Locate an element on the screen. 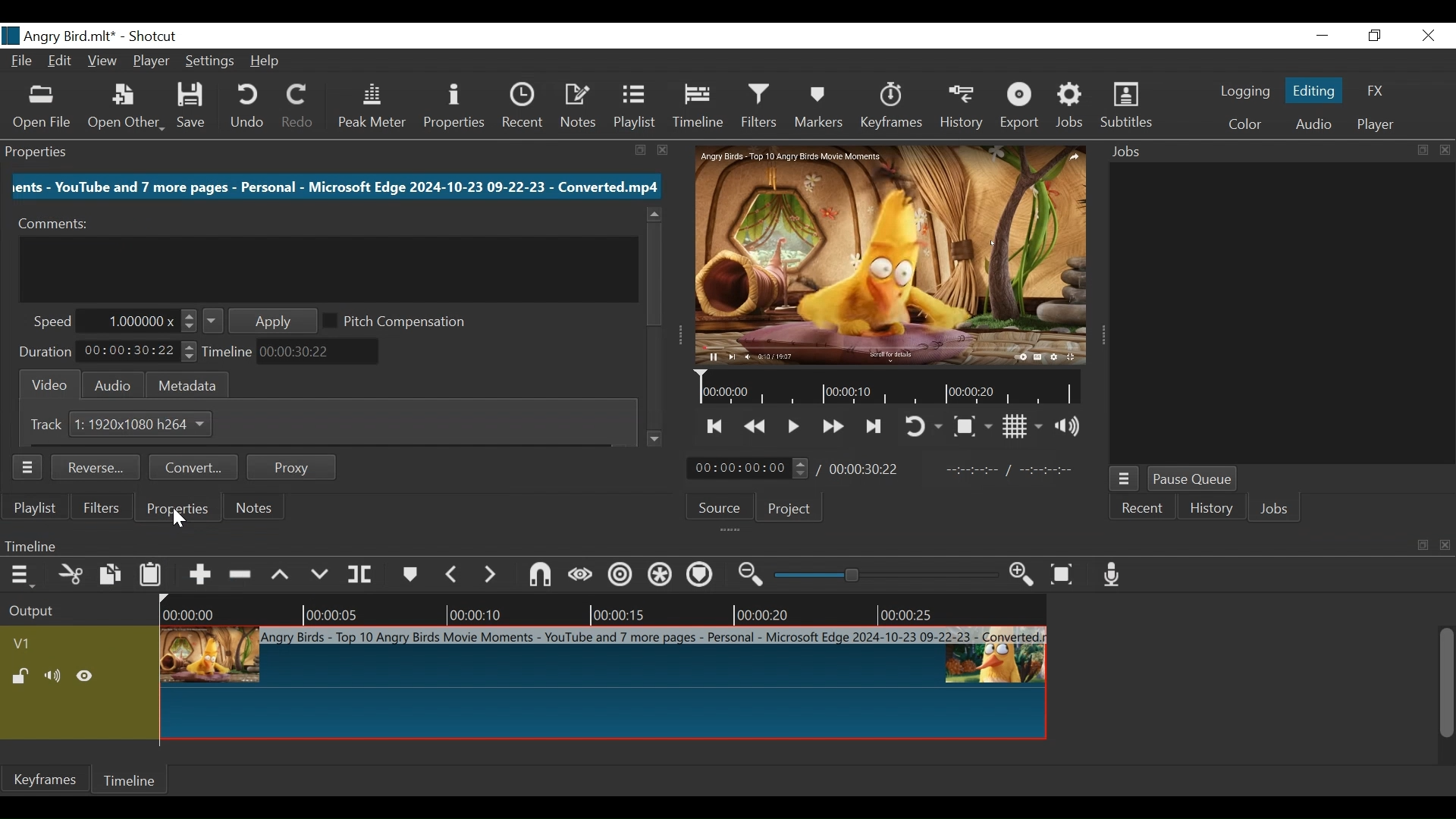  Timeline is located at coordinates (603, 608).